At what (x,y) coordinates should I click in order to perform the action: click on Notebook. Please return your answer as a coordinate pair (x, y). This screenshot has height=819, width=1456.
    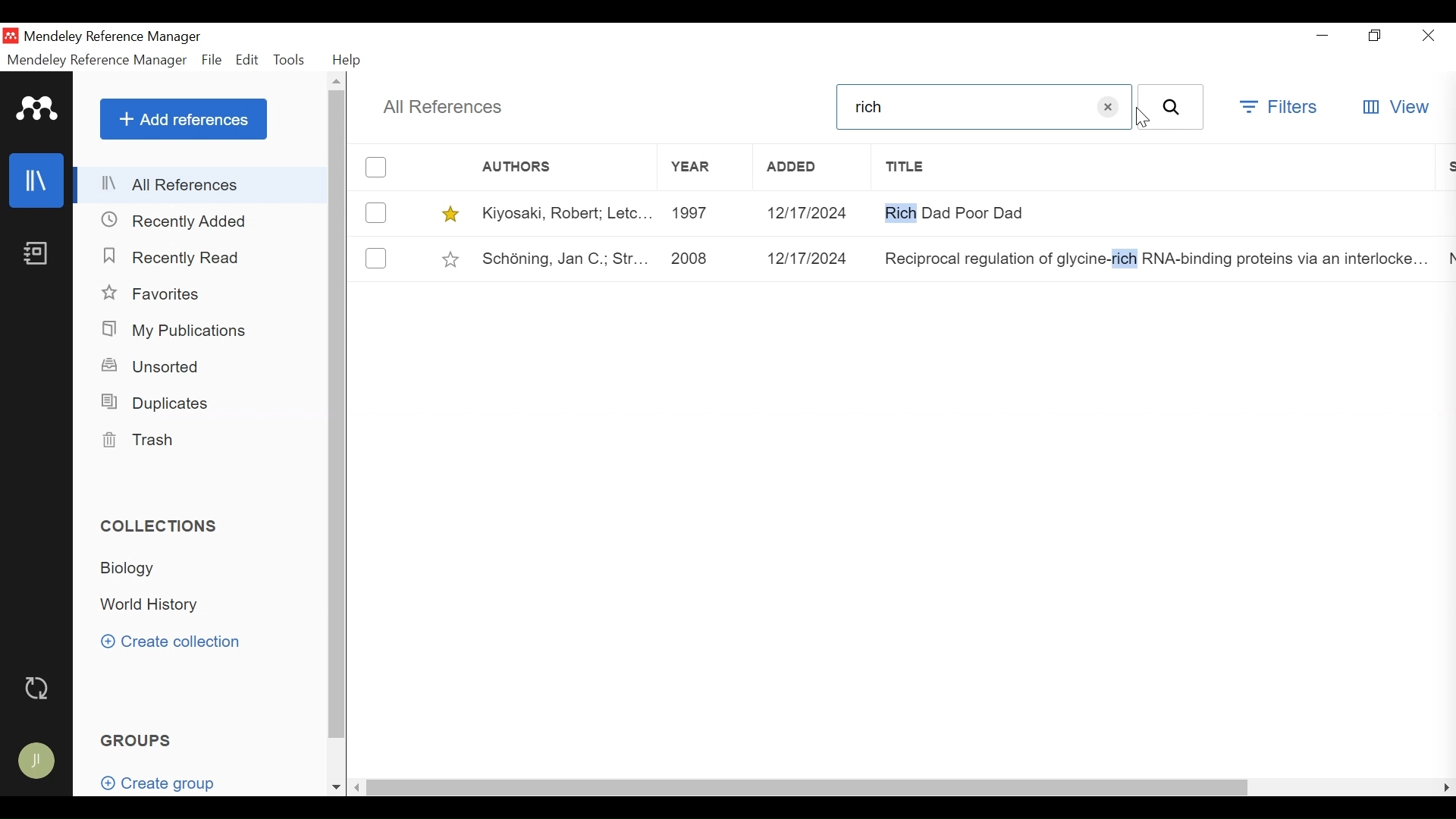
    Looking at the image, I should click on (38, 252).